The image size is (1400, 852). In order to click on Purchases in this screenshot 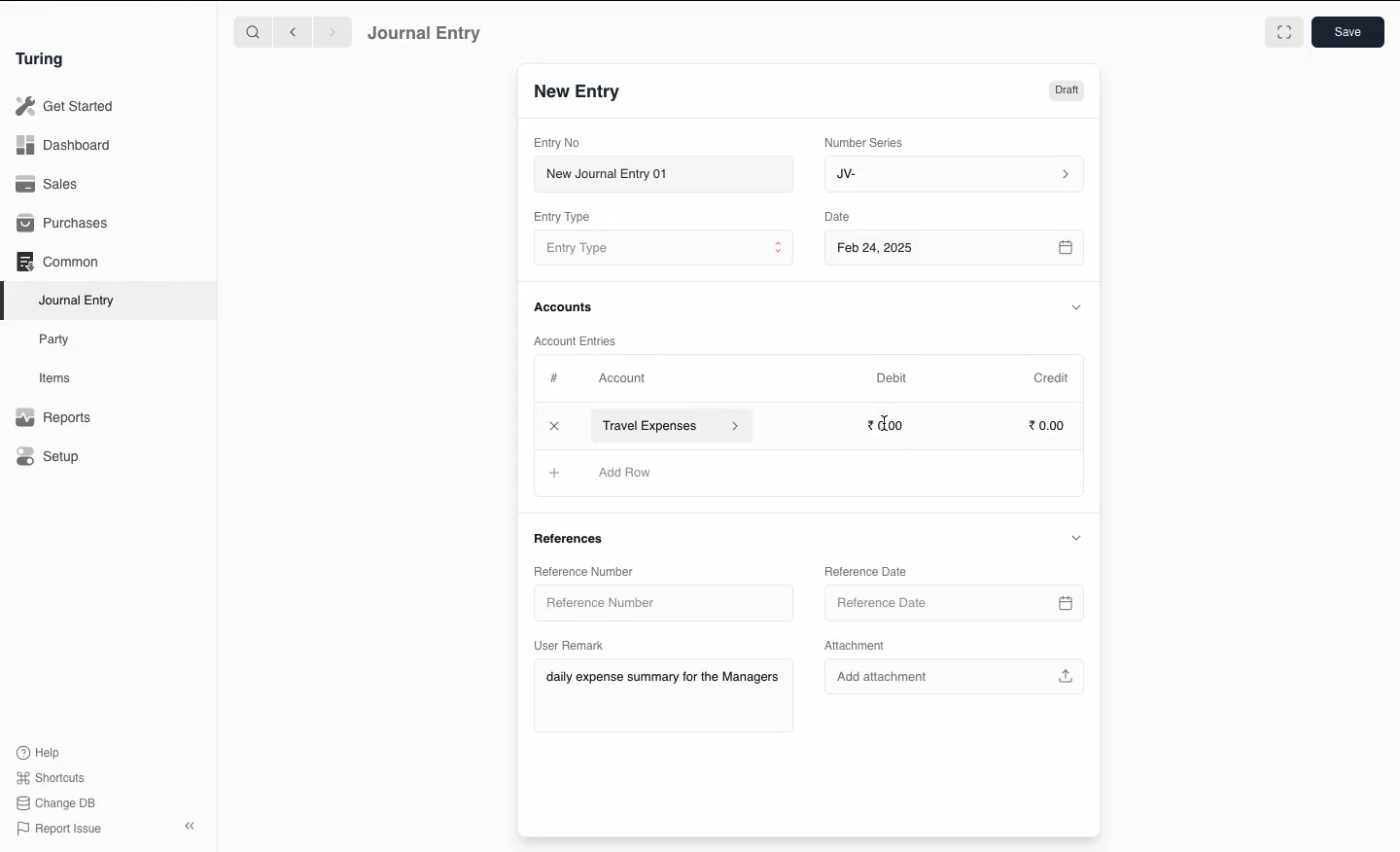, I will do `click(63, 225)`.